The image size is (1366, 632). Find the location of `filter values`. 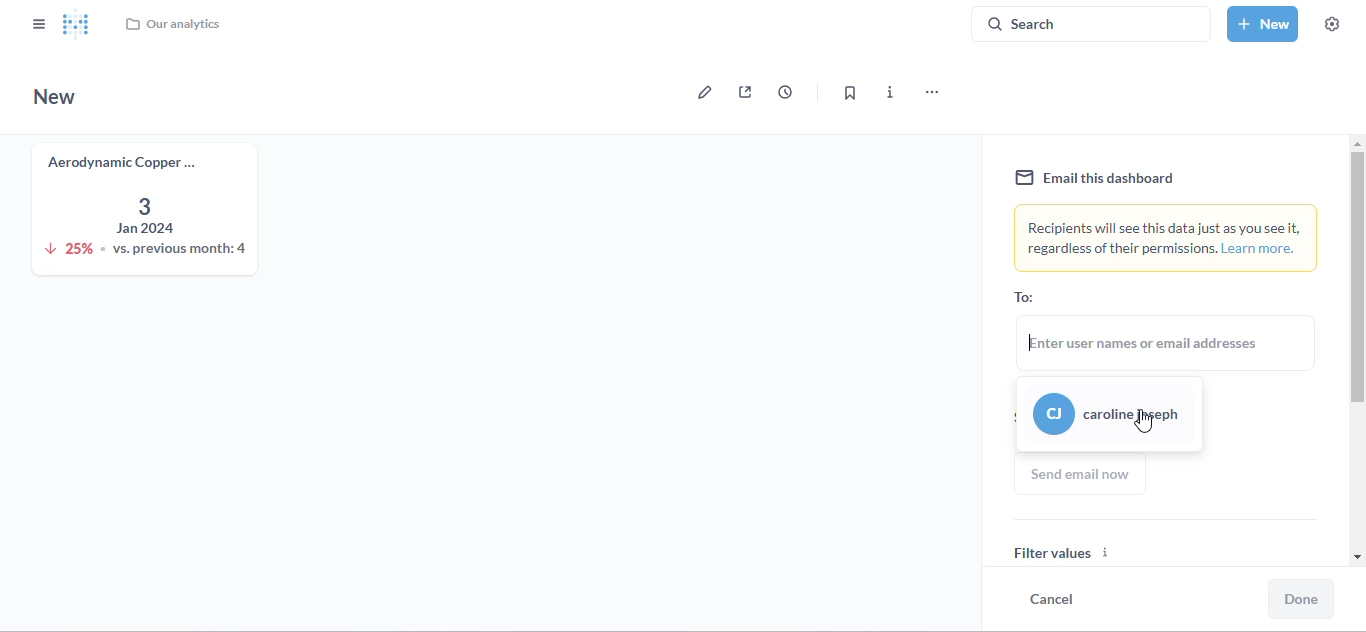

filter values is located at coordinates (1170, 542).